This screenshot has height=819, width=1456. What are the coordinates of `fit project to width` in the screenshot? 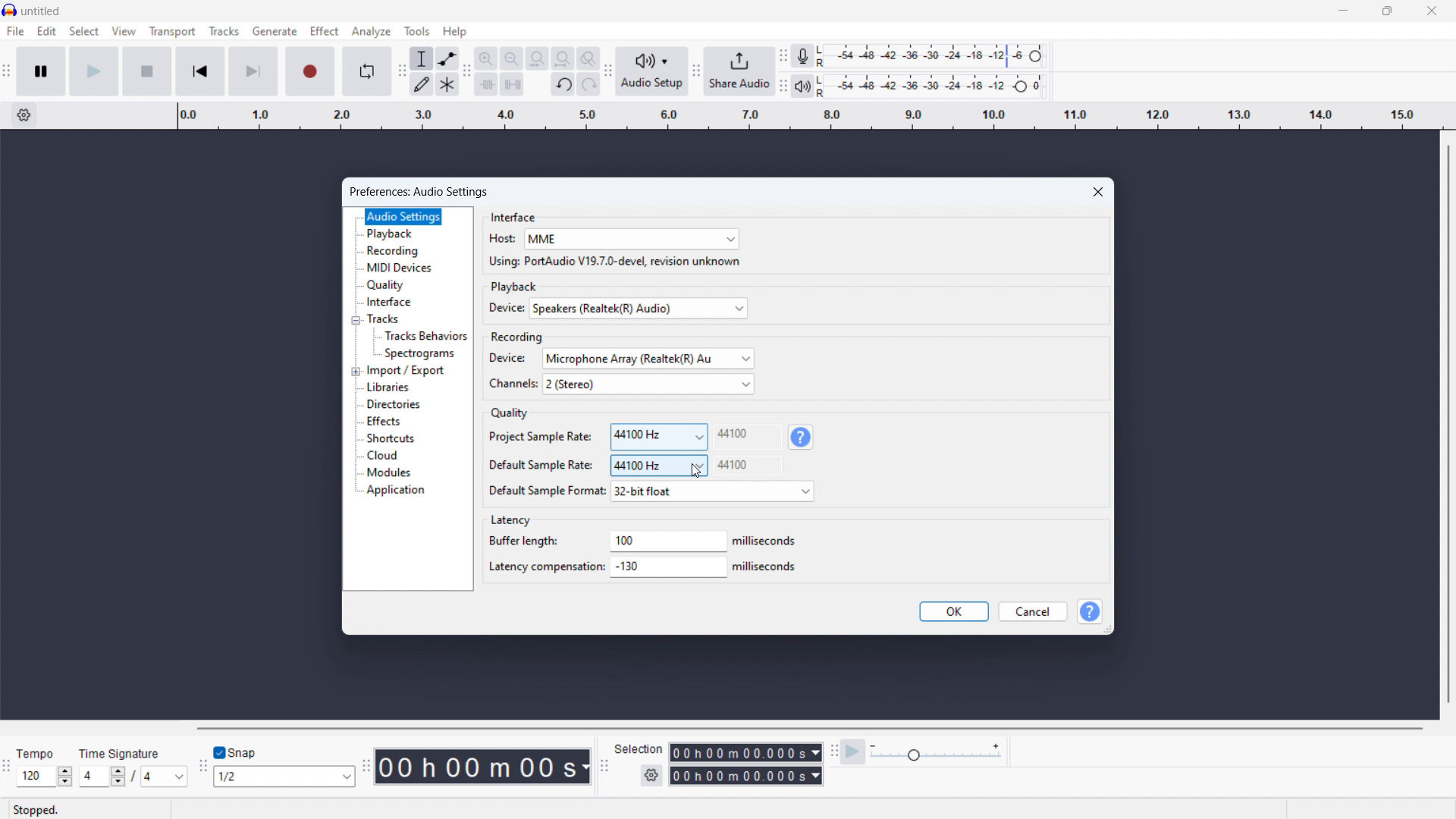 It's located at (562, 58).